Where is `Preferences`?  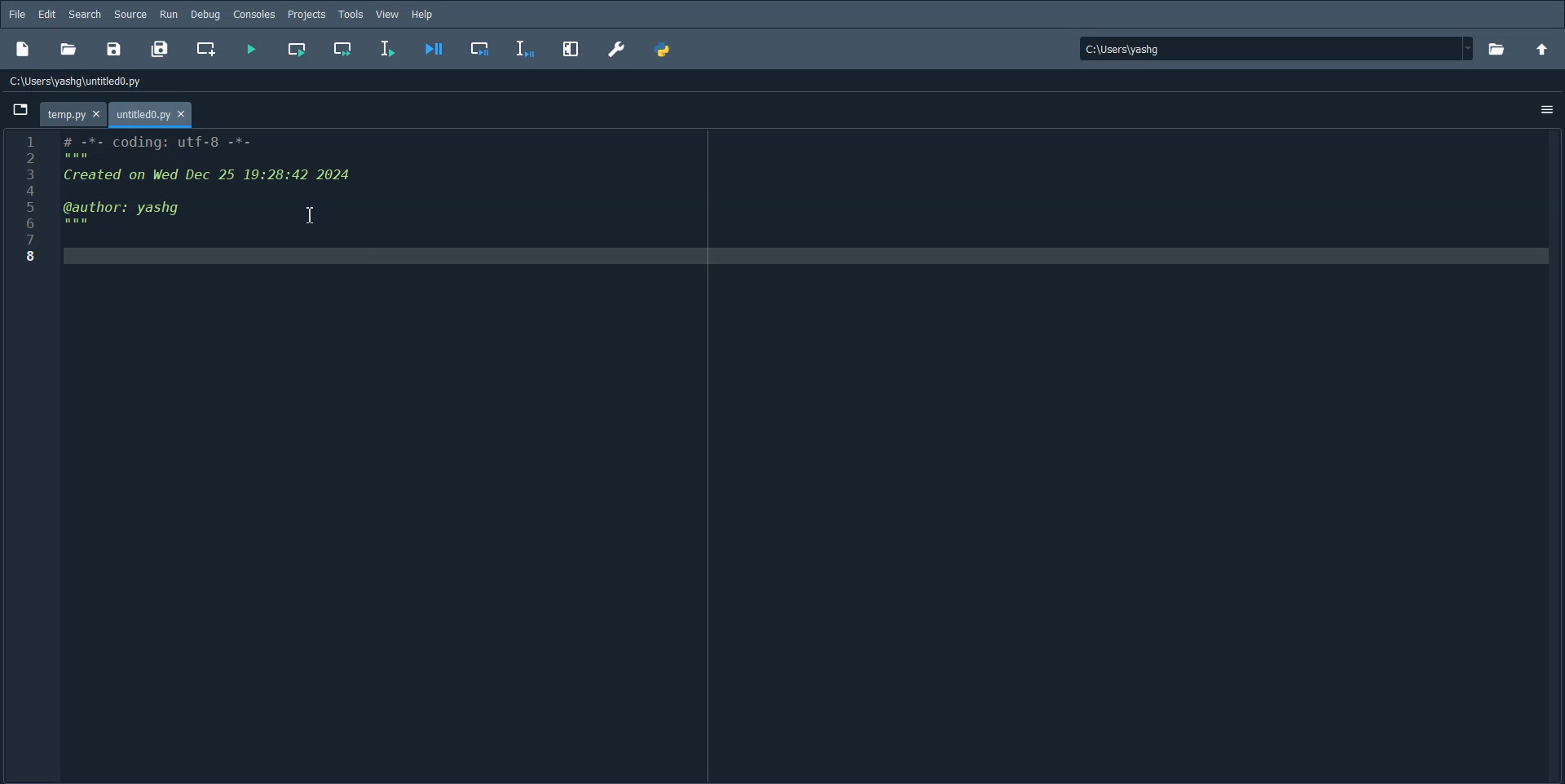 Preferences is located at coordinates (618, 50).